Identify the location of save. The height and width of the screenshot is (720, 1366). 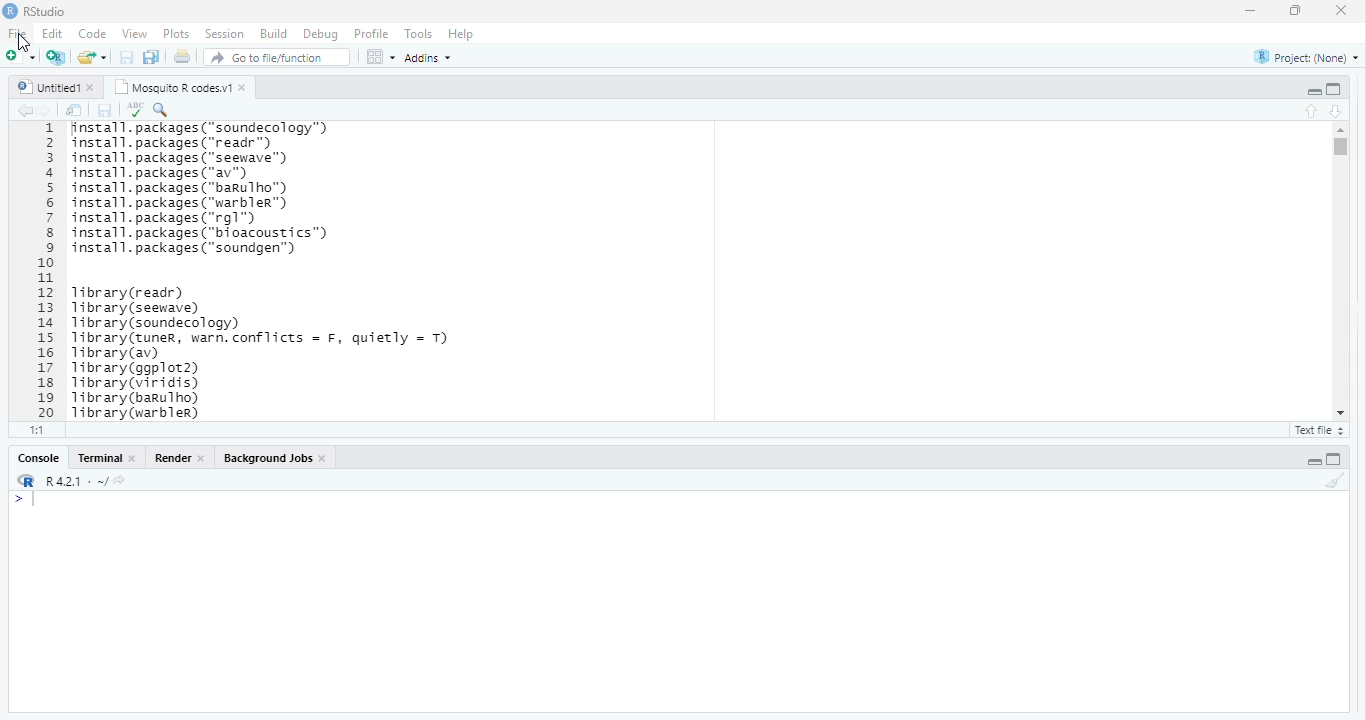
(104, 111).